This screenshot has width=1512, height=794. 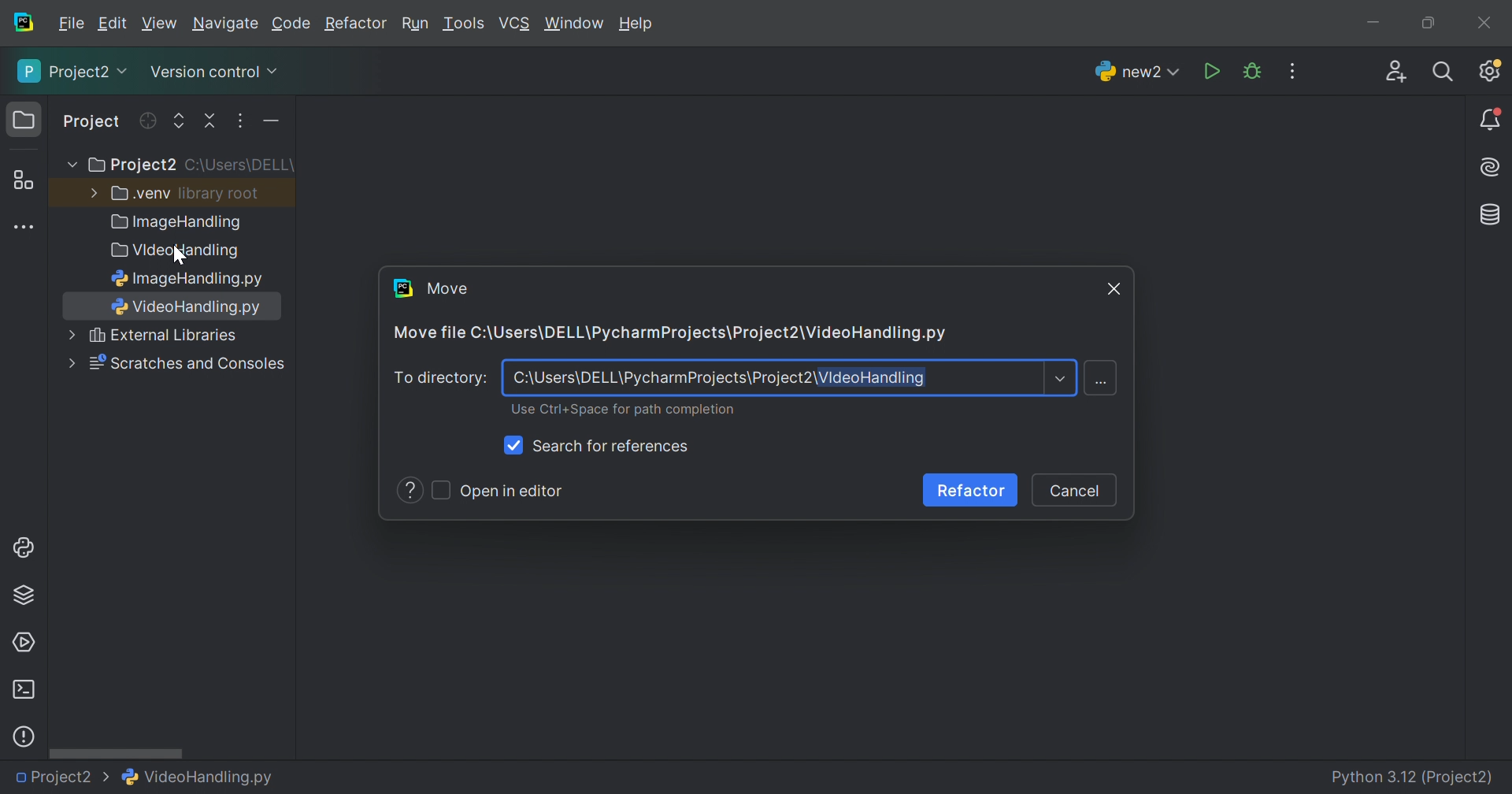 I want to click on ?, so click(x=412, y=492).